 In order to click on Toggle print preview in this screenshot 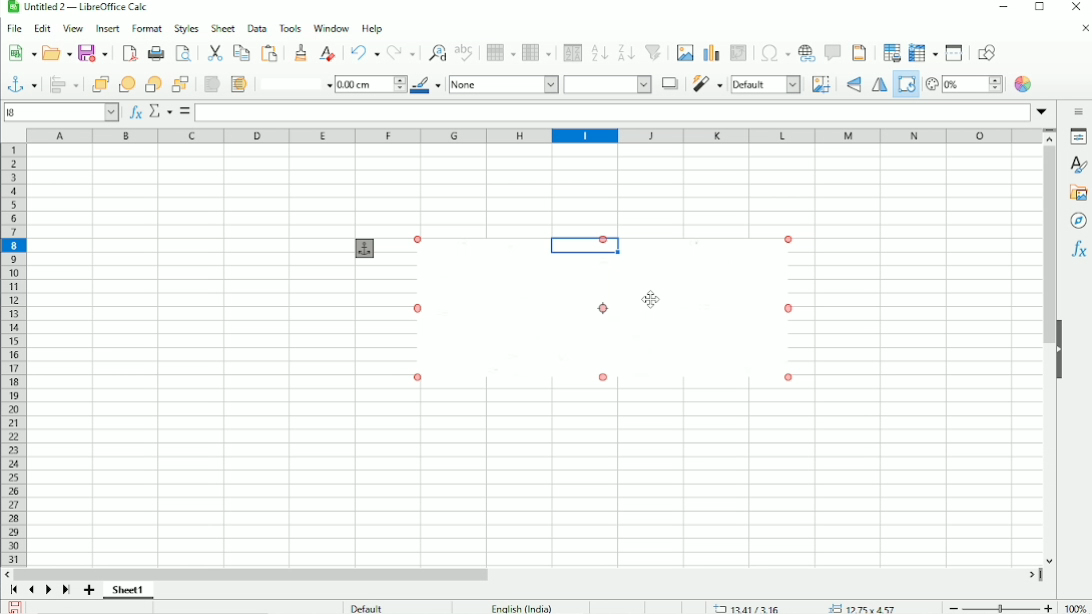, I will do `click(183, 53)`.